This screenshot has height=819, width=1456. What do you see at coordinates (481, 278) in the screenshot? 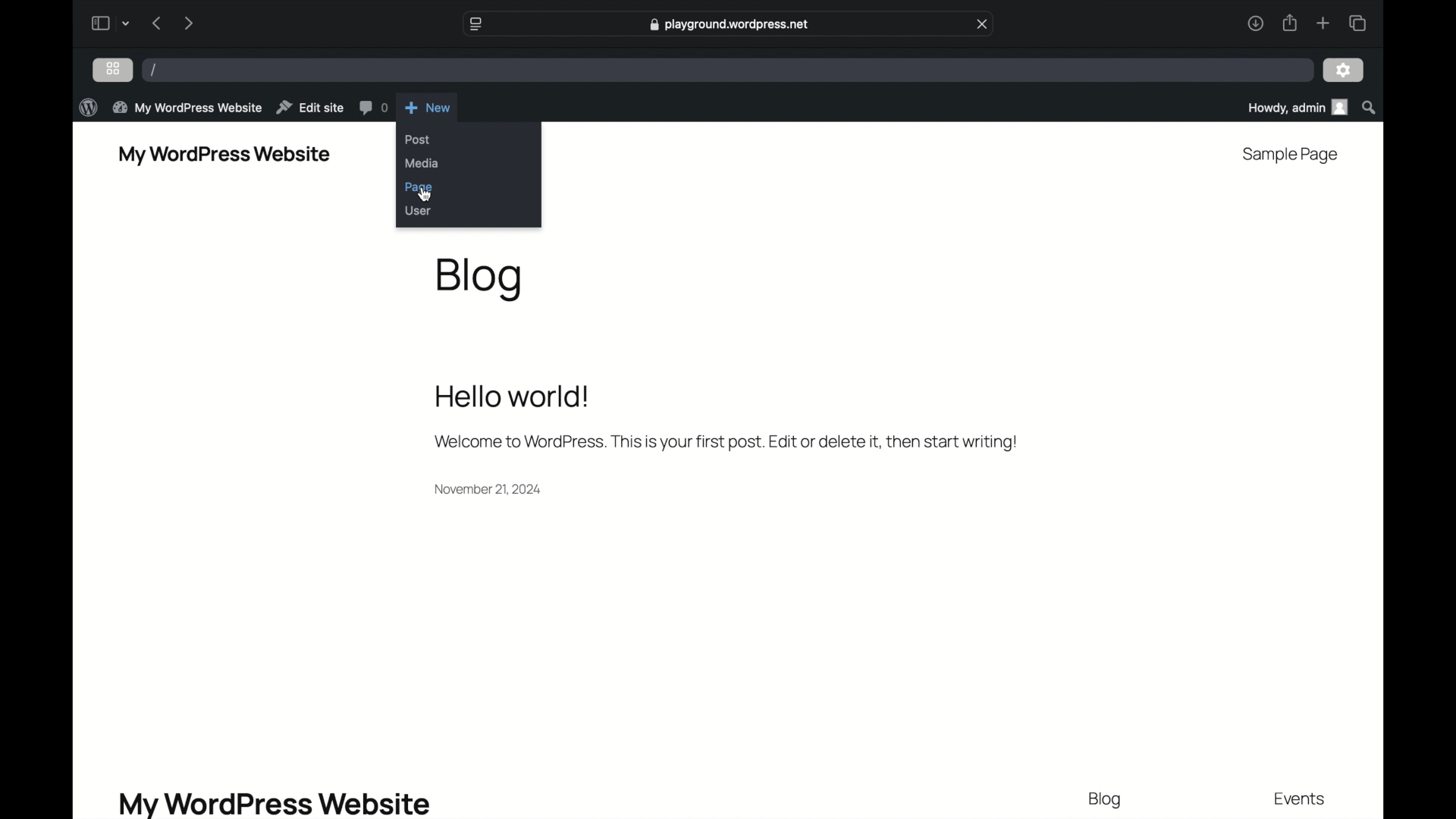
I see `blog` at bounding box center [481, 278].